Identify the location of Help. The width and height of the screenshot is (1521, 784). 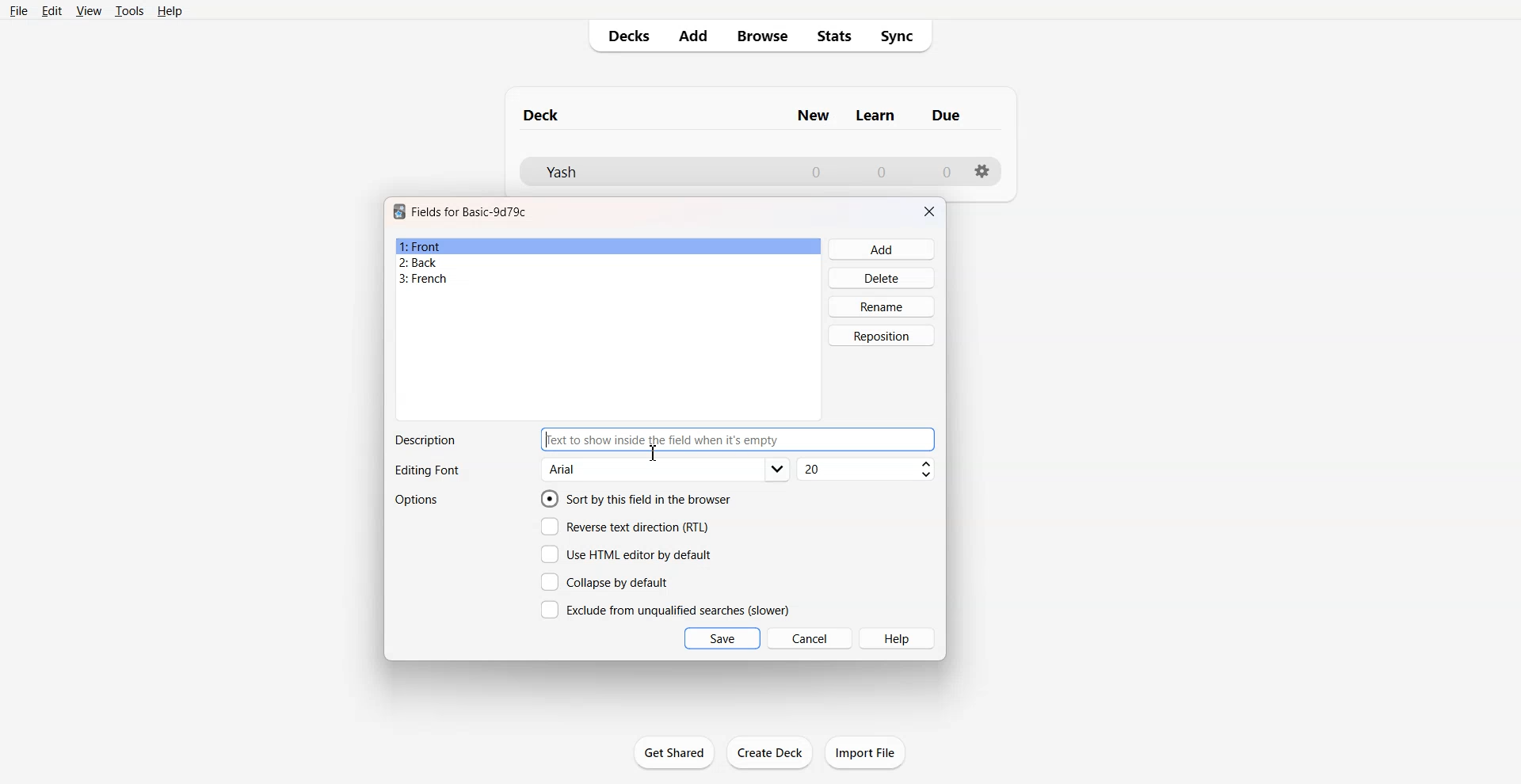
(170, 11).